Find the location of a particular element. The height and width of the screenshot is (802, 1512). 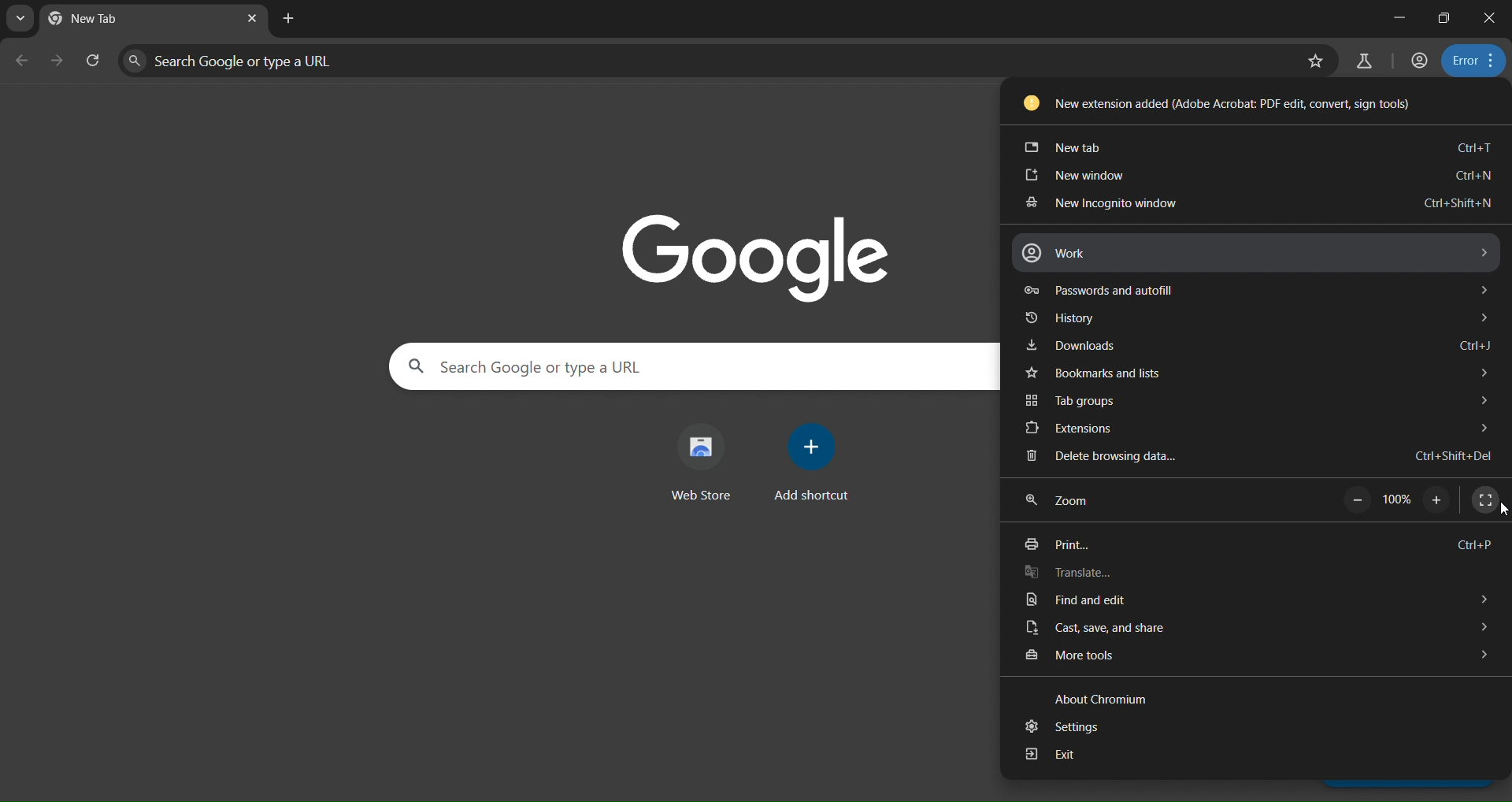

new tab is located at coordinates (1258, 146).